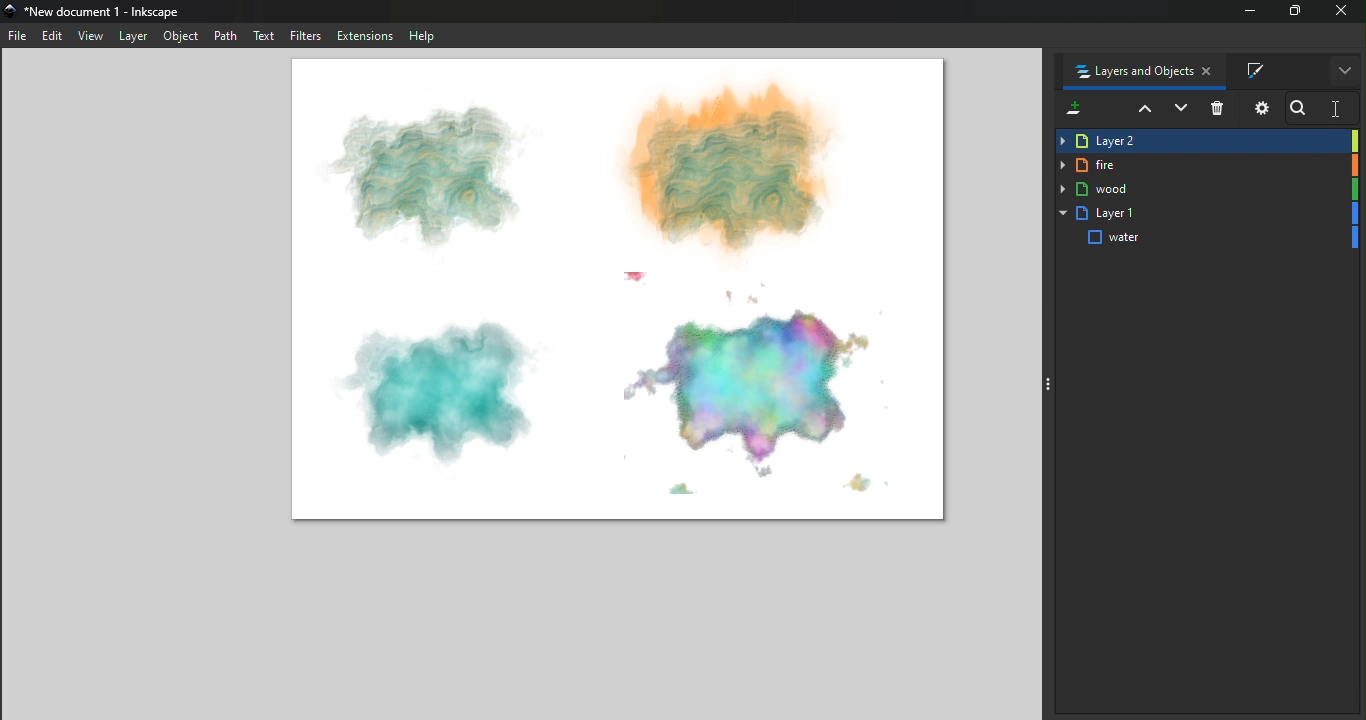  What do you see at coordinates (1137, 70) in the screenshot?
I see `Layers and objects` at bounding box center [1137, 70].